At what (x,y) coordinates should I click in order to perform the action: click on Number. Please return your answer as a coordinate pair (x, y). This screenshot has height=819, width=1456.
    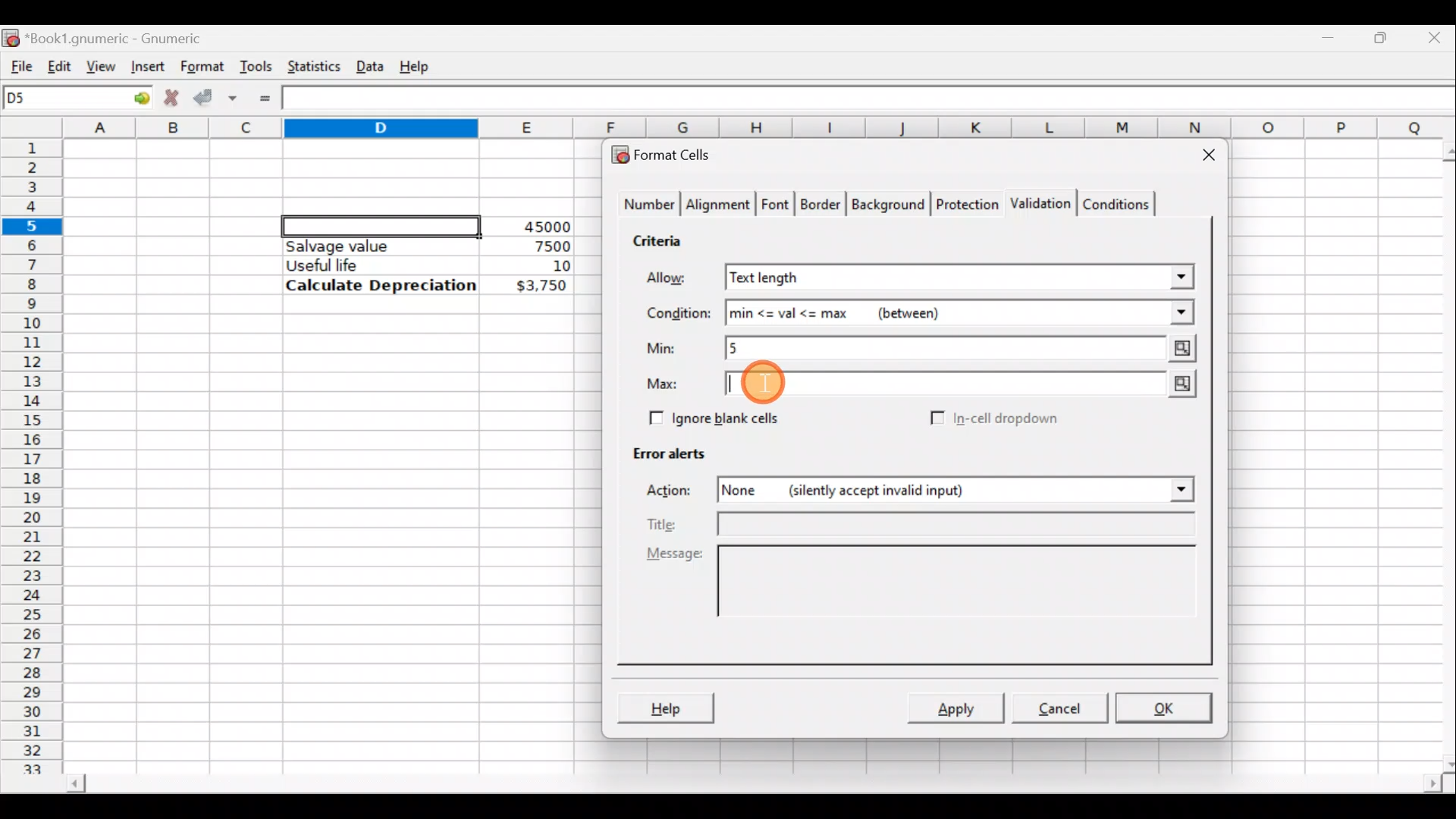
    Looking at the image, I should click on (645, 206).